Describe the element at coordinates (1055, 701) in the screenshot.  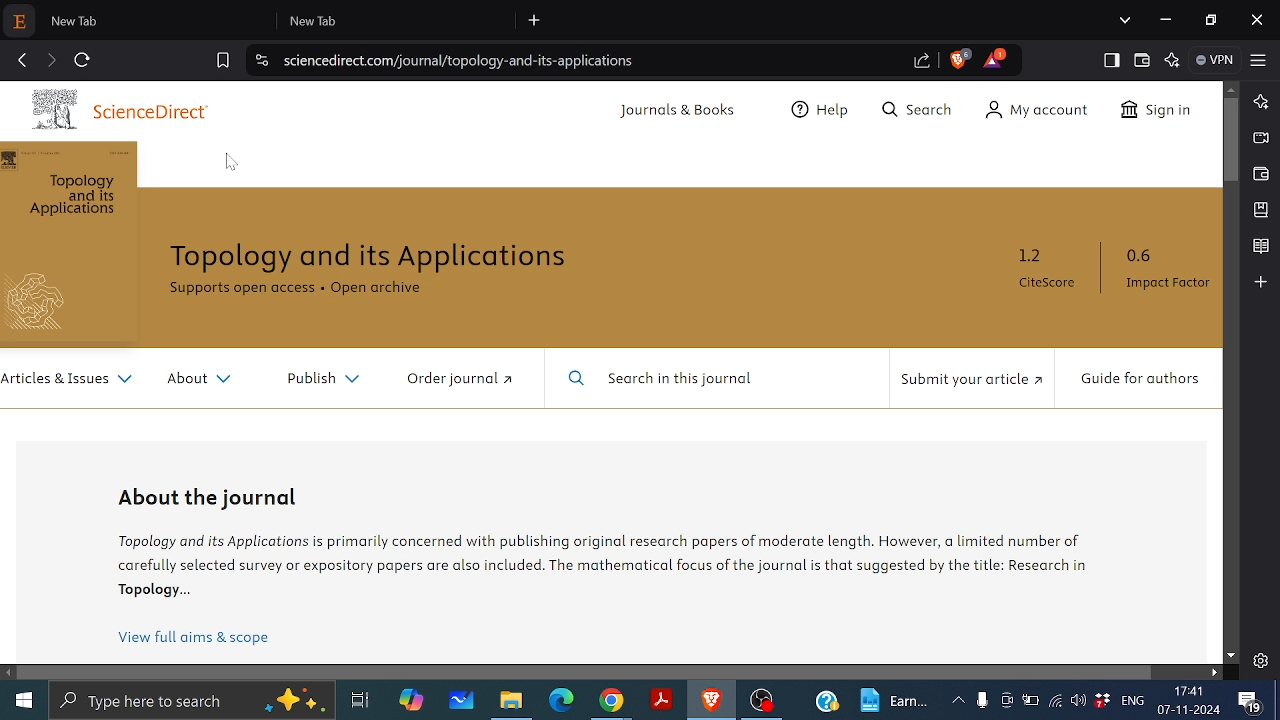
I see `Internet access` at that location.